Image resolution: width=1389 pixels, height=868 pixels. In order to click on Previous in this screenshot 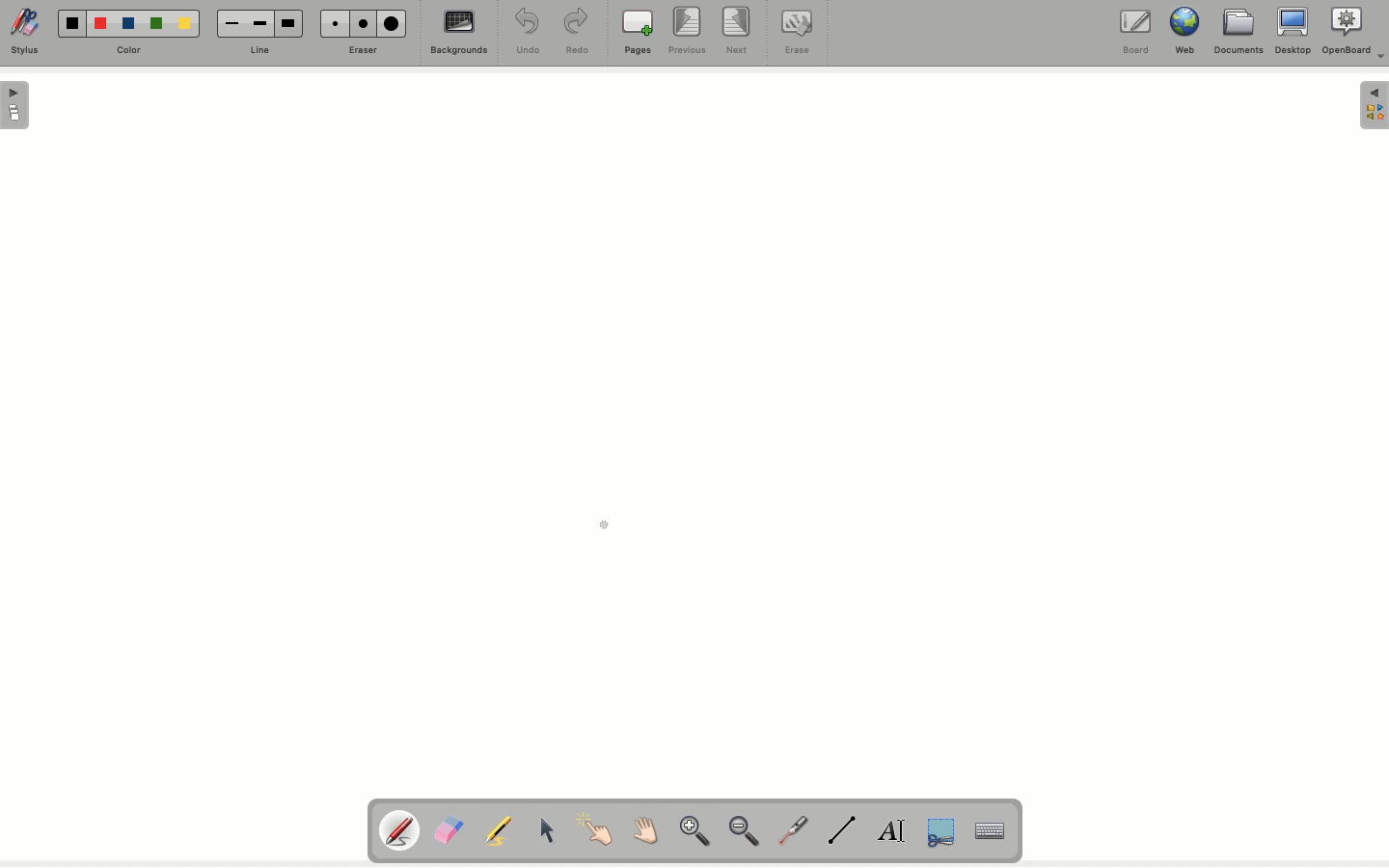, I will do `click(690, 33)`.